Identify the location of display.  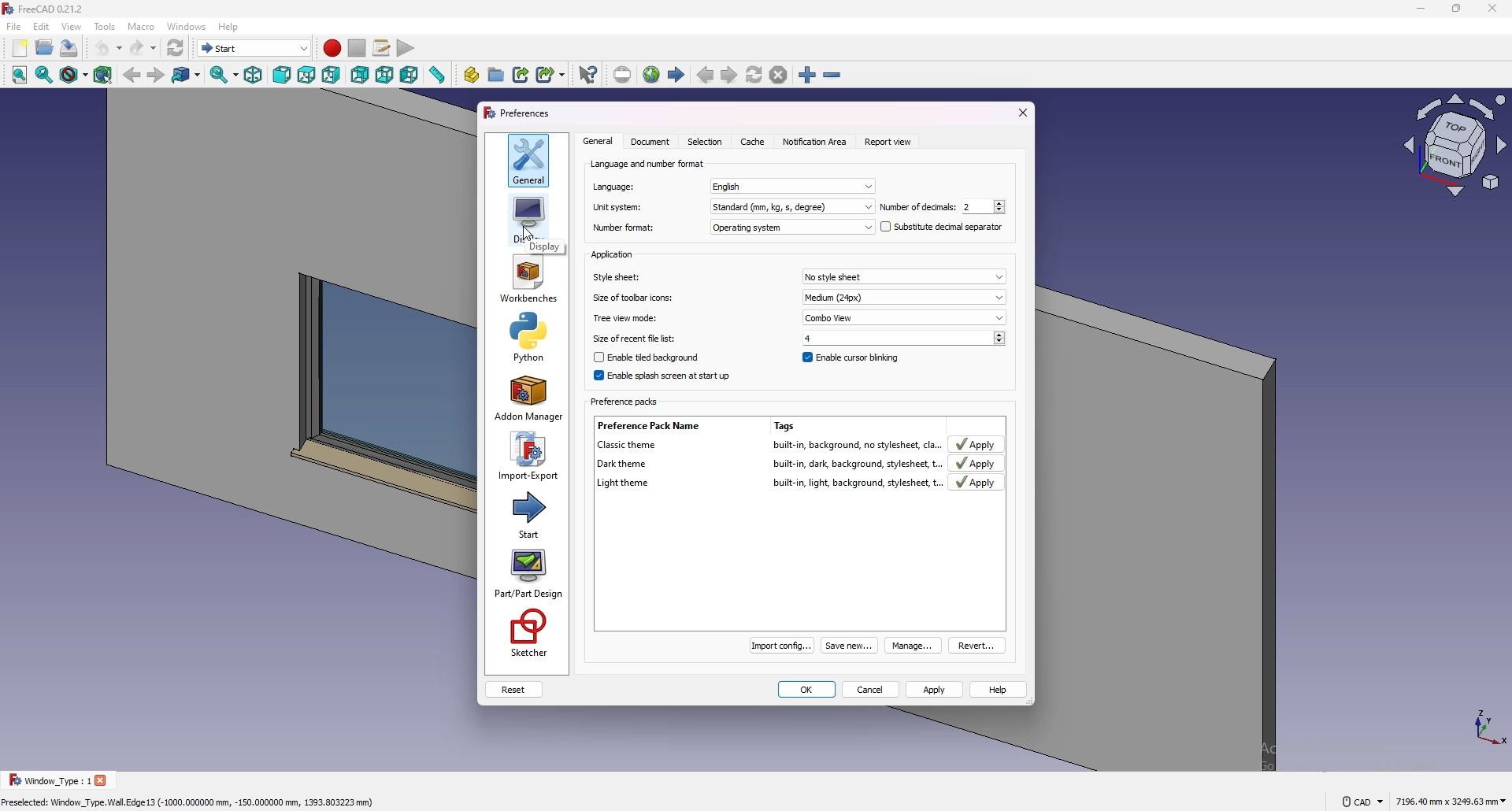
(528, 217).